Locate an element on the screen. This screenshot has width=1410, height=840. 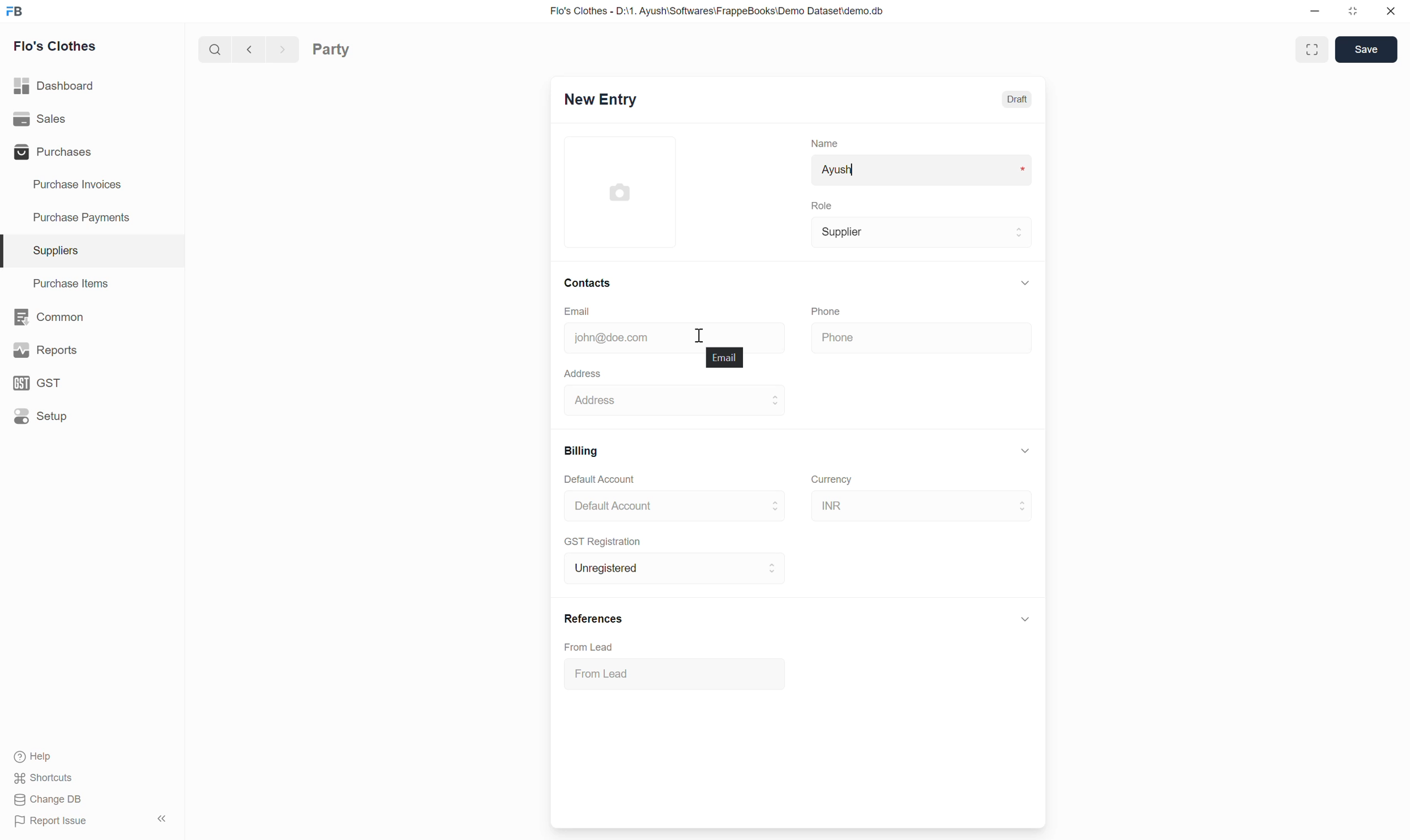
Ayush is located at coordinates (921, 170).